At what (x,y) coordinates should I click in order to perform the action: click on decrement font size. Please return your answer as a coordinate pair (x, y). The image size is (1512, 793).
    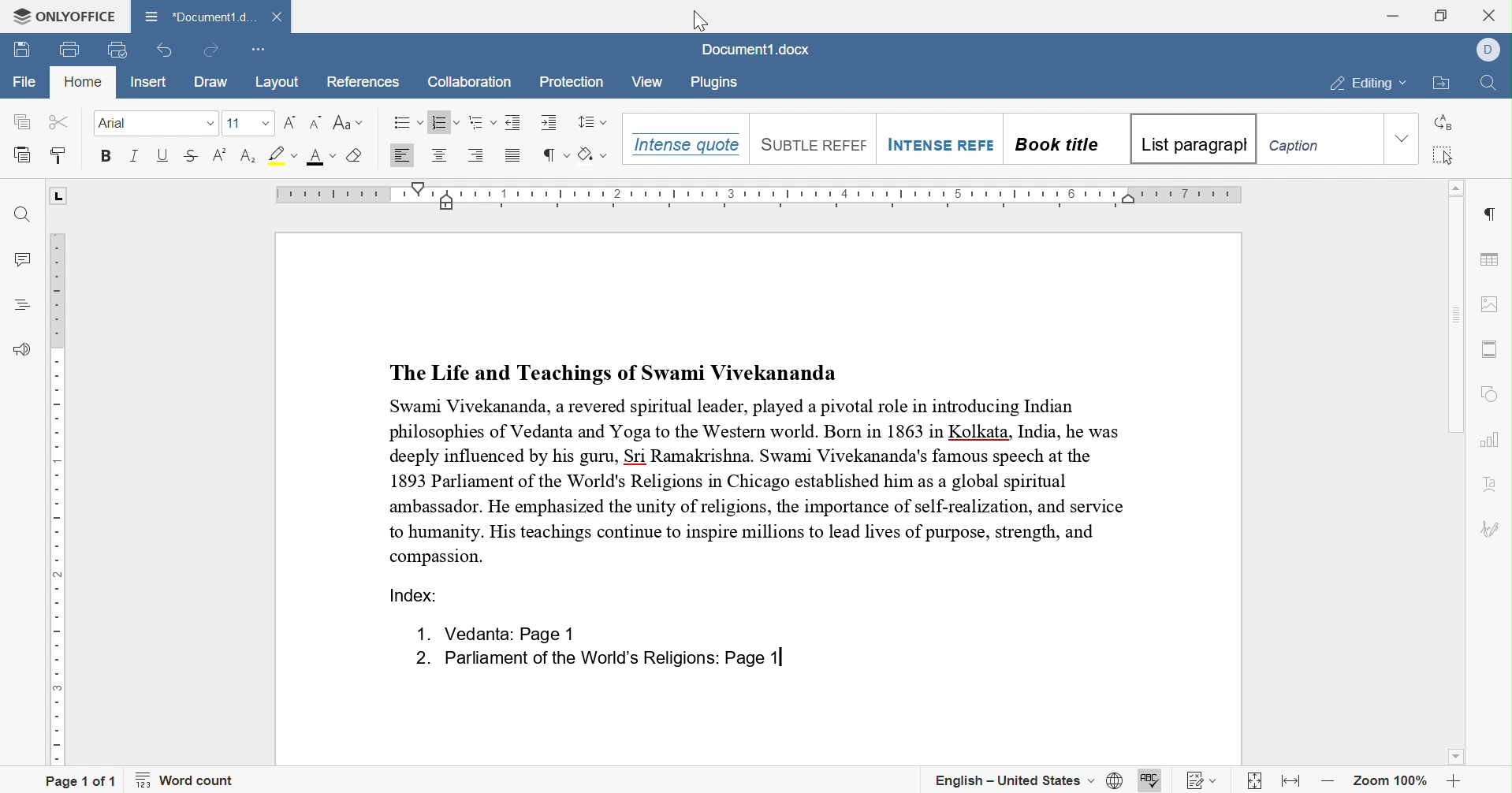
    Looking at the image, I should click on (317, 122).